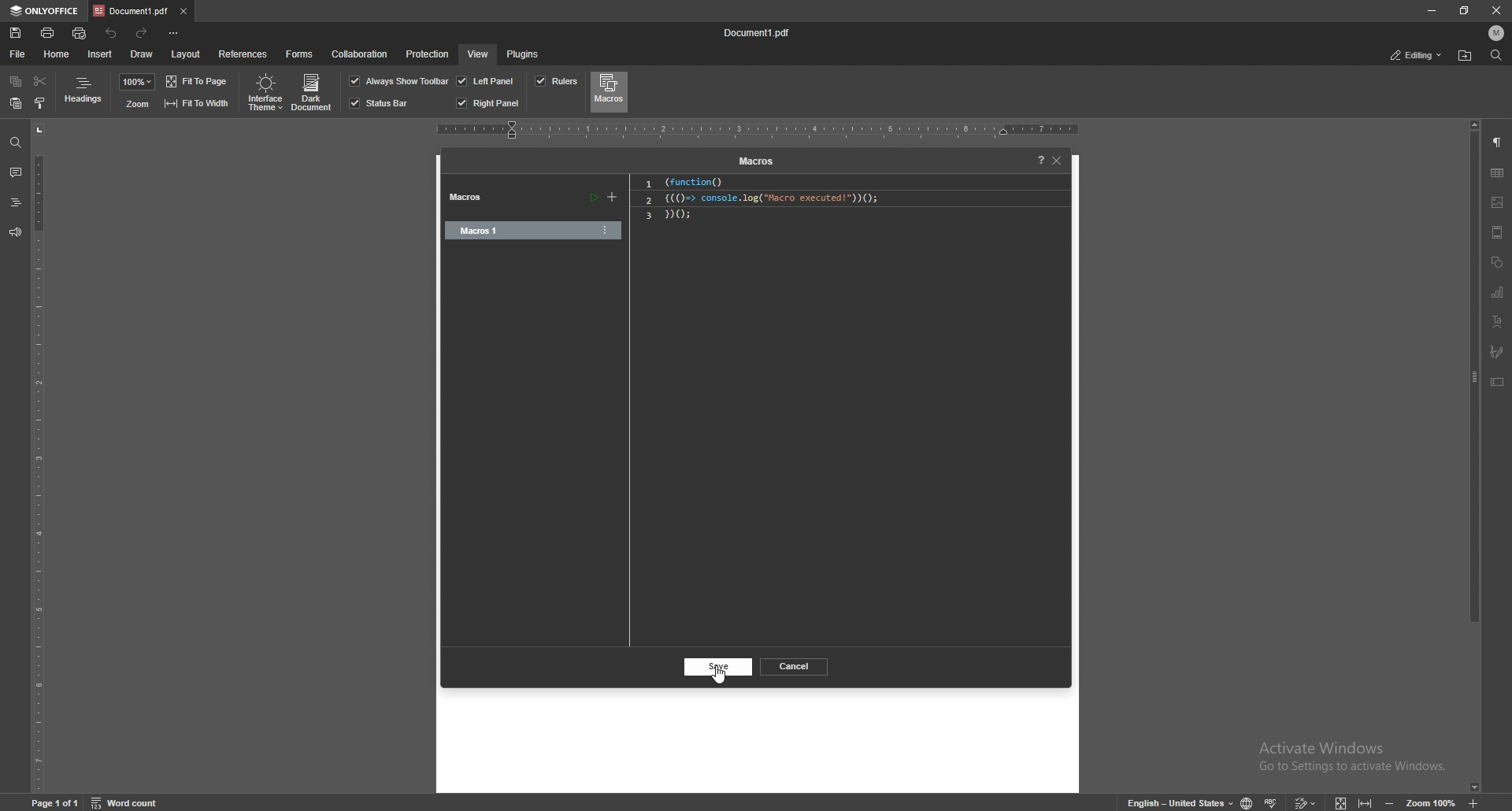 Image resolution: width=1512 pixels, height=811 pixels. I want to click on zoom, so click(137, 82).